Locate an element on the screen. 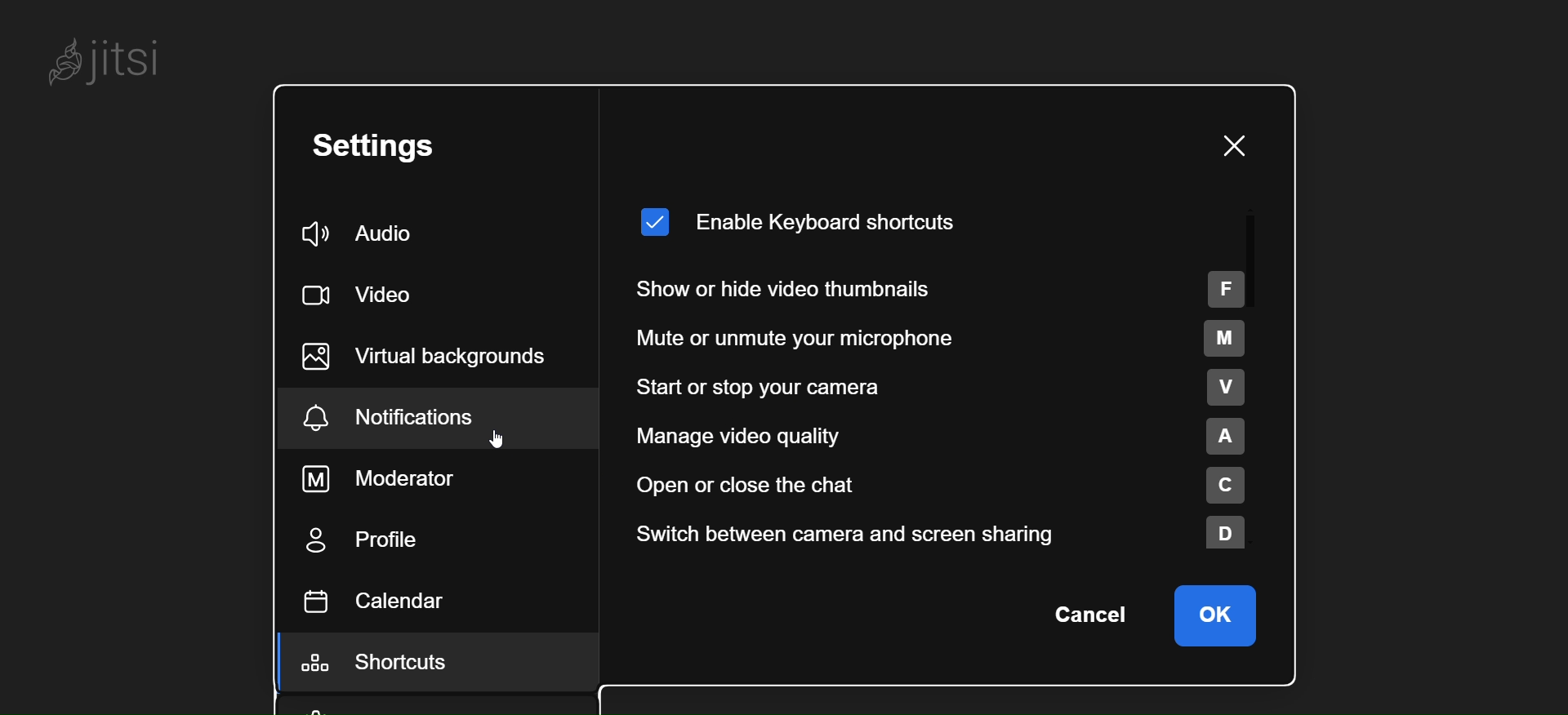 The image size is (1568, 715). shortcuts is located at coordinates (382, 659).